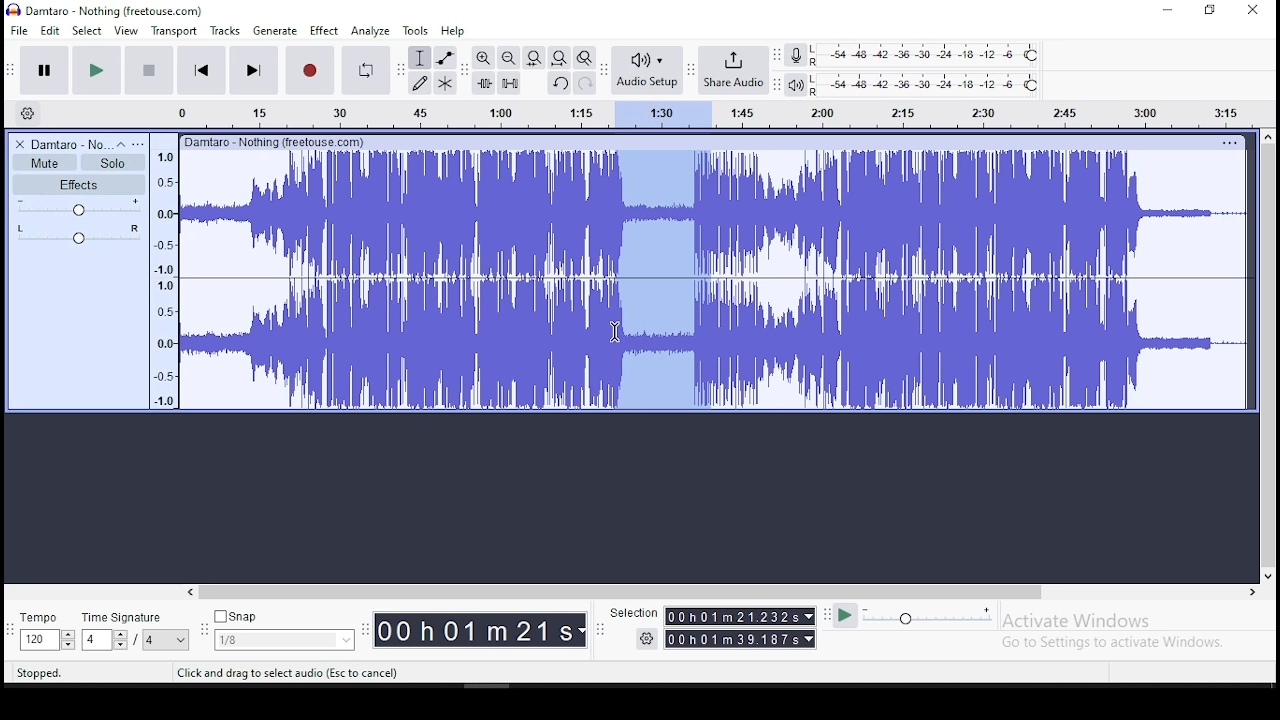  I want to click on Go to Settings to activate Windows., so click(1116, 642).